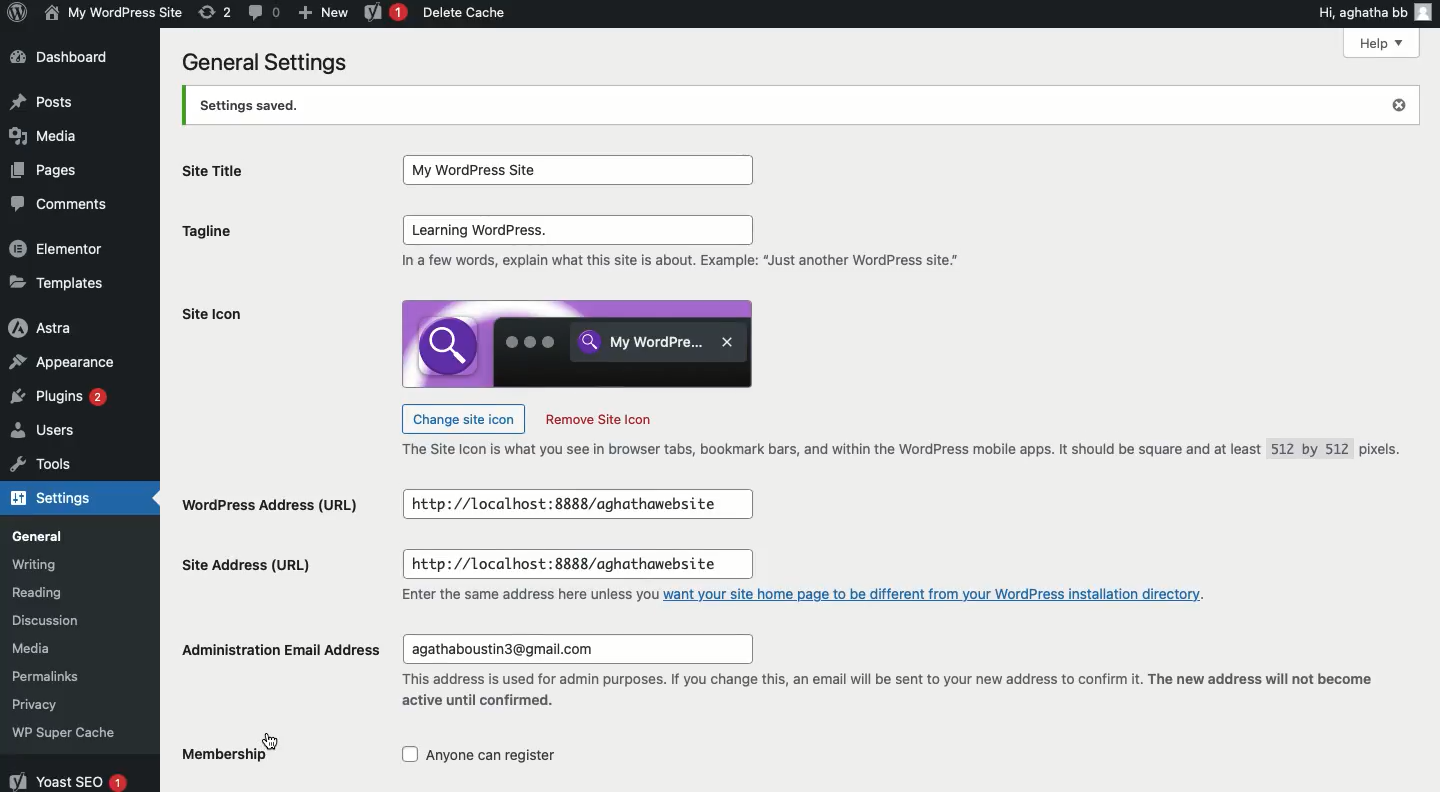 This screenshot has width=1440, height=792. Describe the element at coordinates (289, 643) in the screenshot. I see `Administration email address` at that location.